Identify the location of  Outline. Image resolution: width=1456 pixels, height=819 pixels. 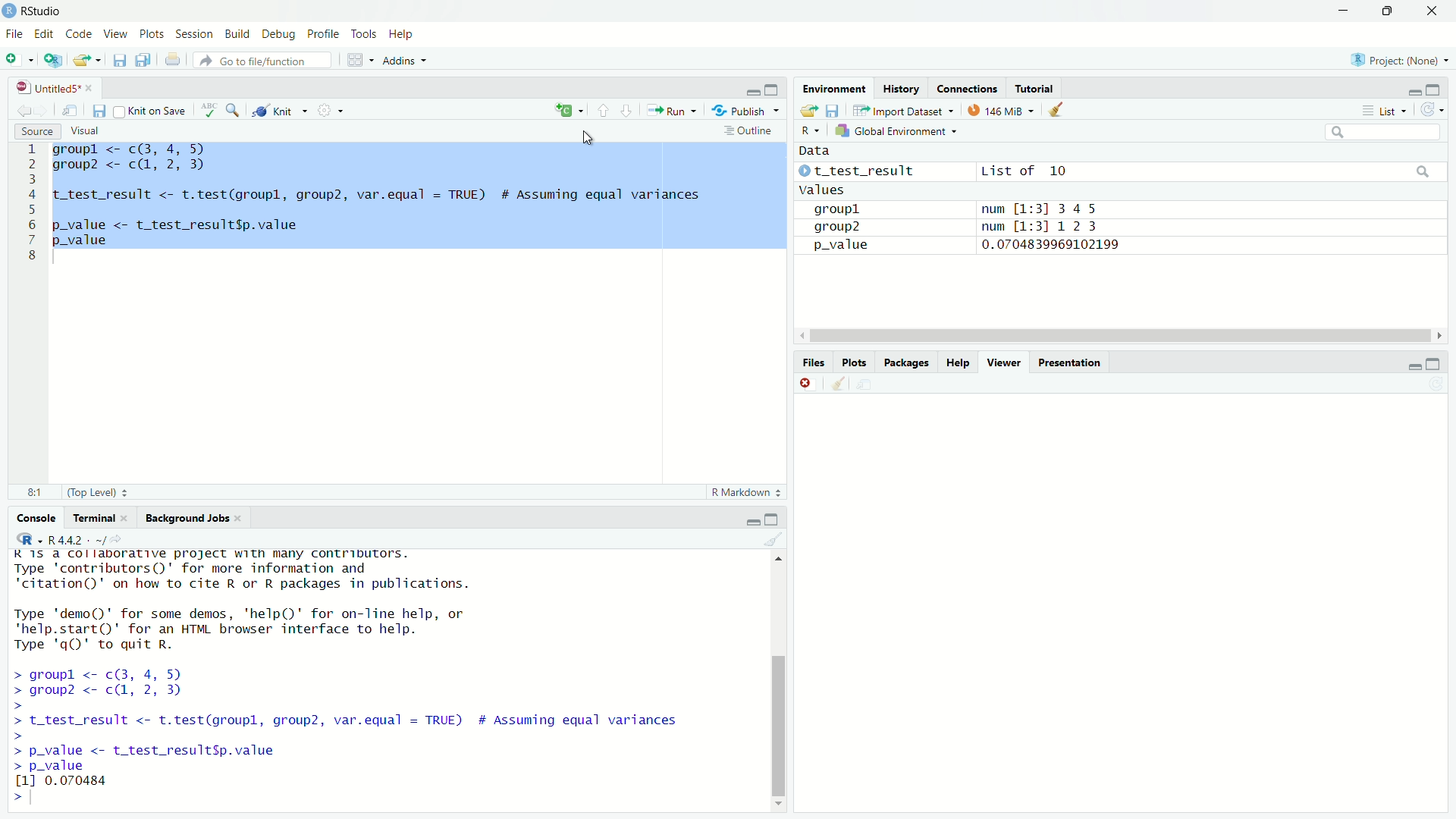
(747, 130).